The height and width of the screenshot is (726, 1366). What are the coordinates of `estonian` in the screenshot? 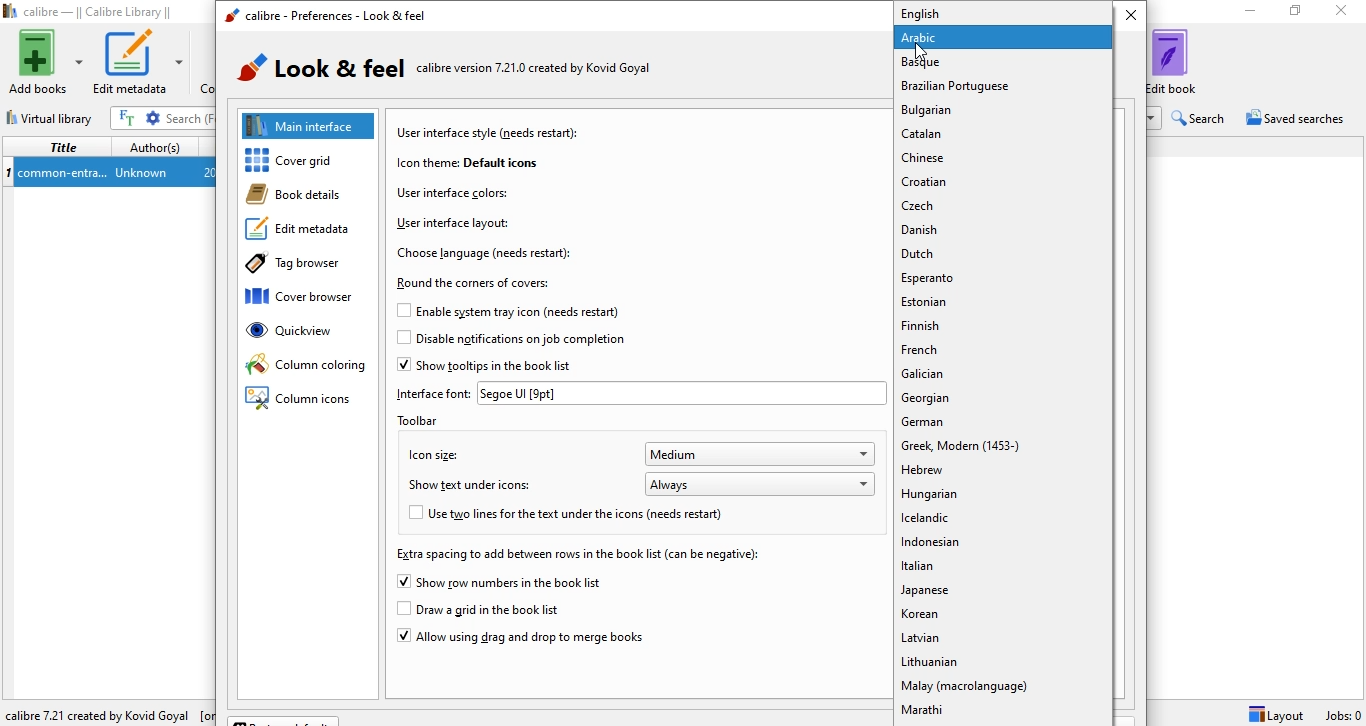 It's located at (1000, 302).